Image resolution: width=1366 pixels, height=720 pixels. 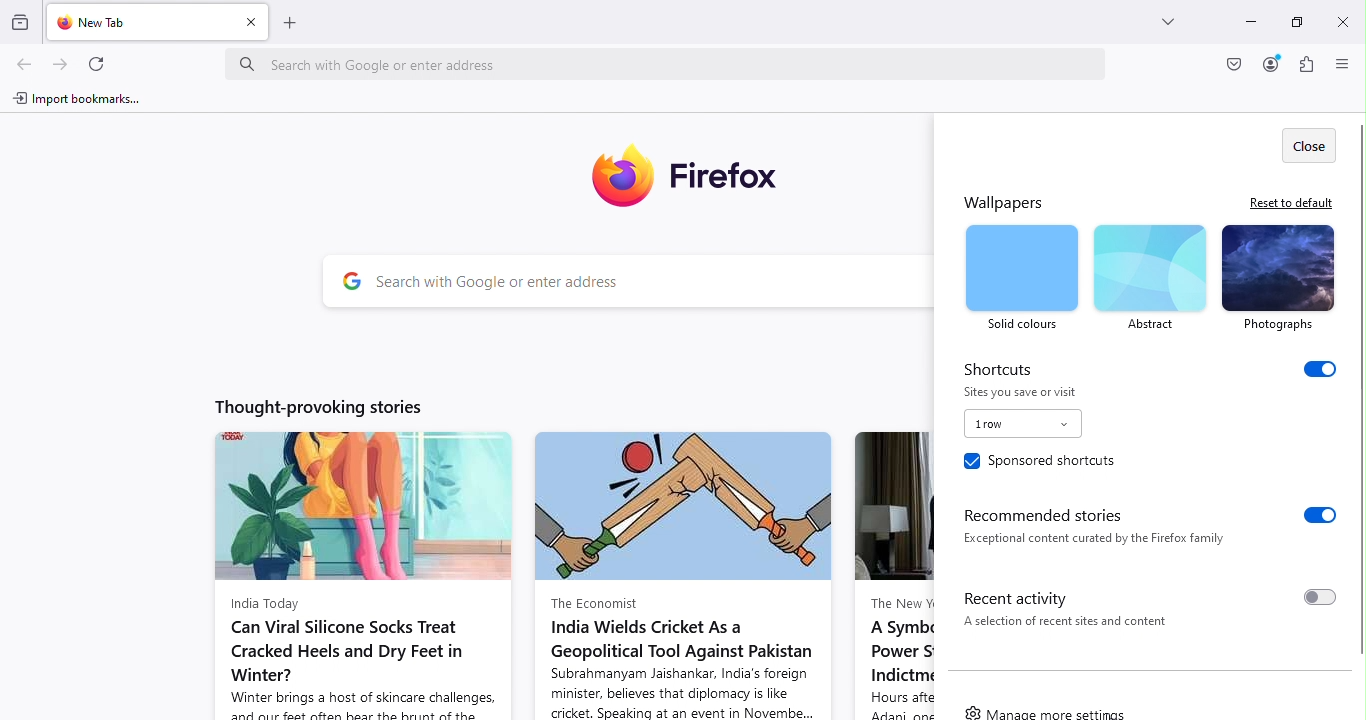 What do you see at coordinates (1340, 19) in the screenshot?
I see `Close` at bounding box center [1340, 19].